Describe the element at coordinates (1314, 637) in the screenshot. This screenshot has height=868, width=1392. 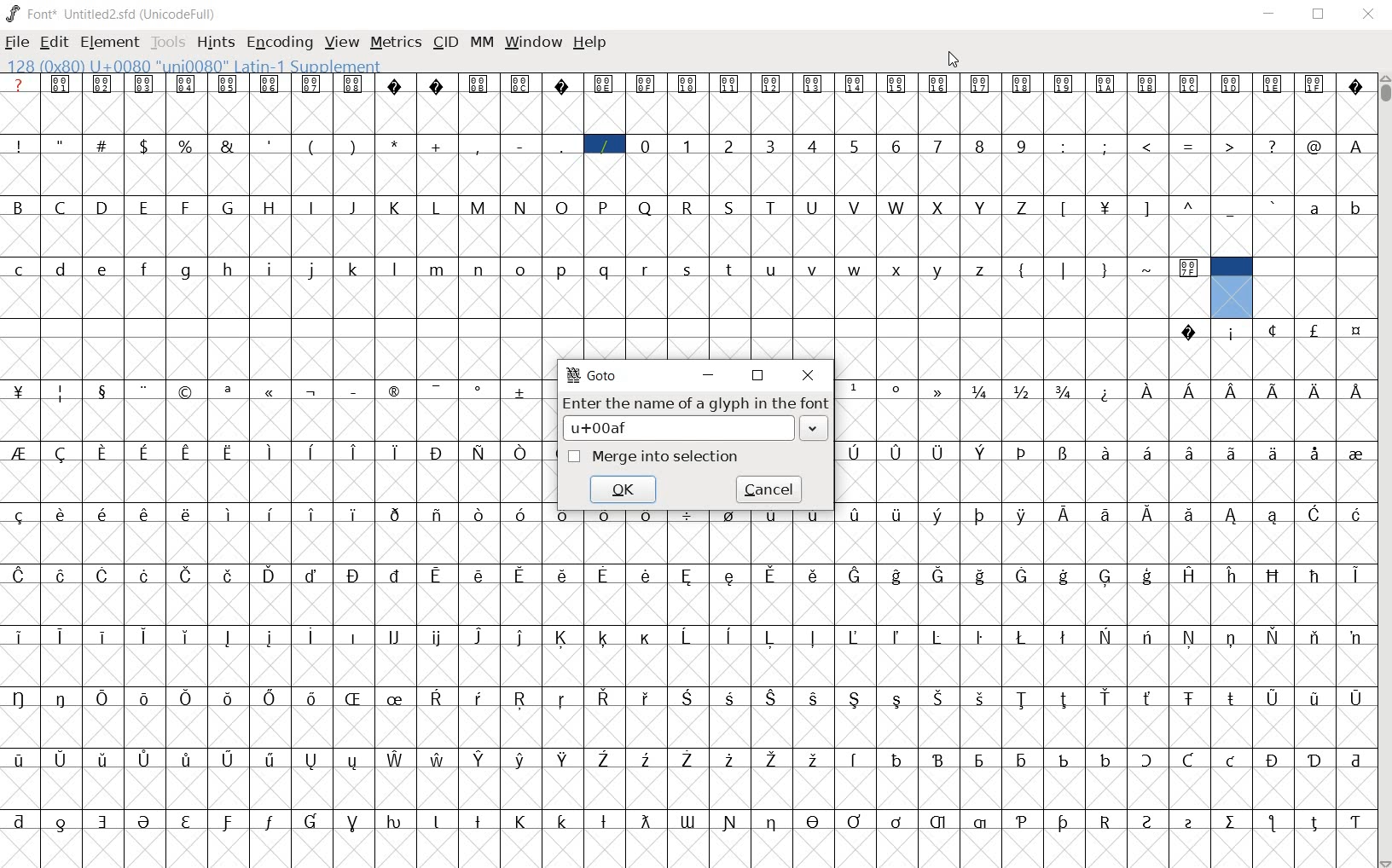
I see `Symbol` at that location.